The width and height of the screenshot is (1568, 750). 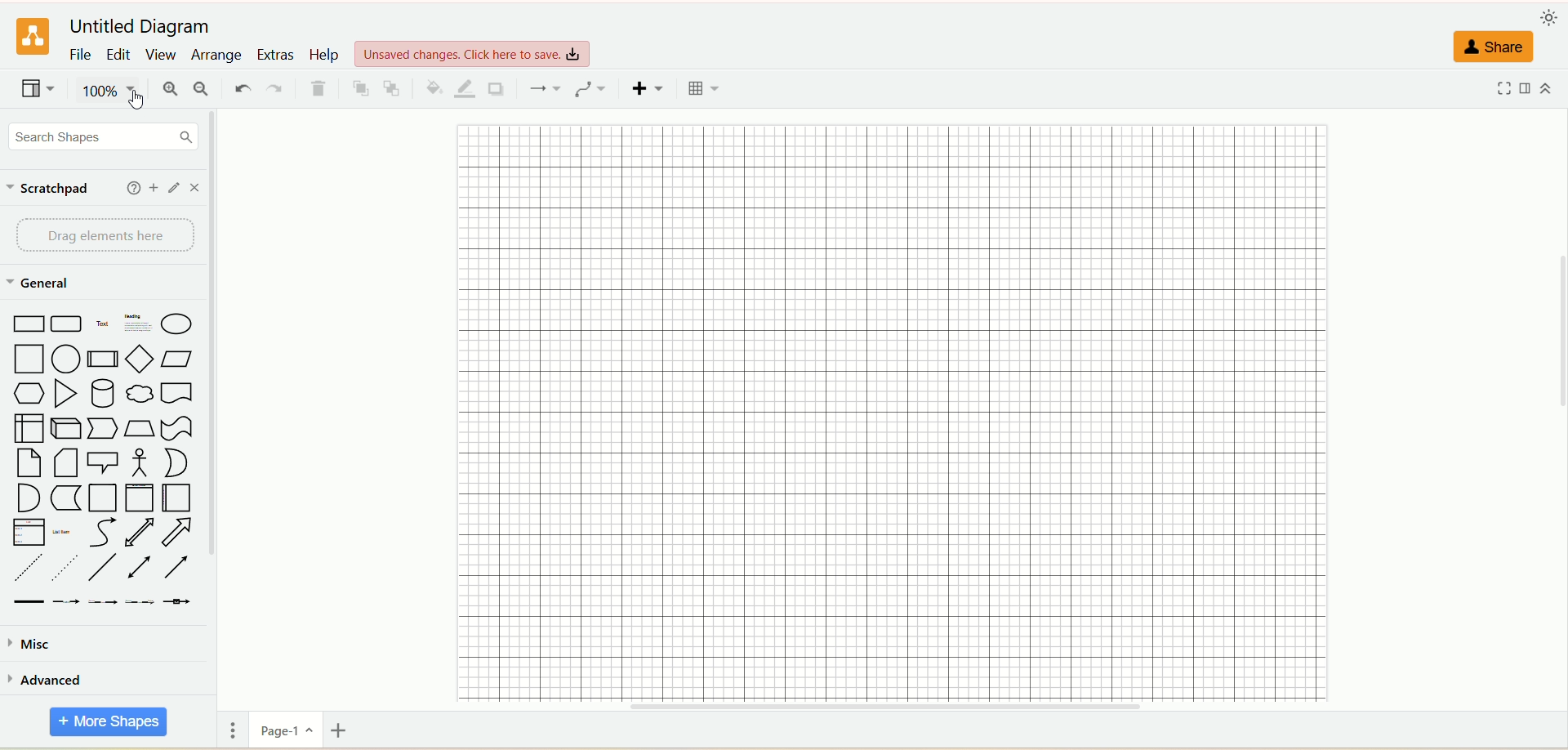 What do you see at coordinates (81, 56) in the screenshot?
I see `file` at bounding box center [81, 56].